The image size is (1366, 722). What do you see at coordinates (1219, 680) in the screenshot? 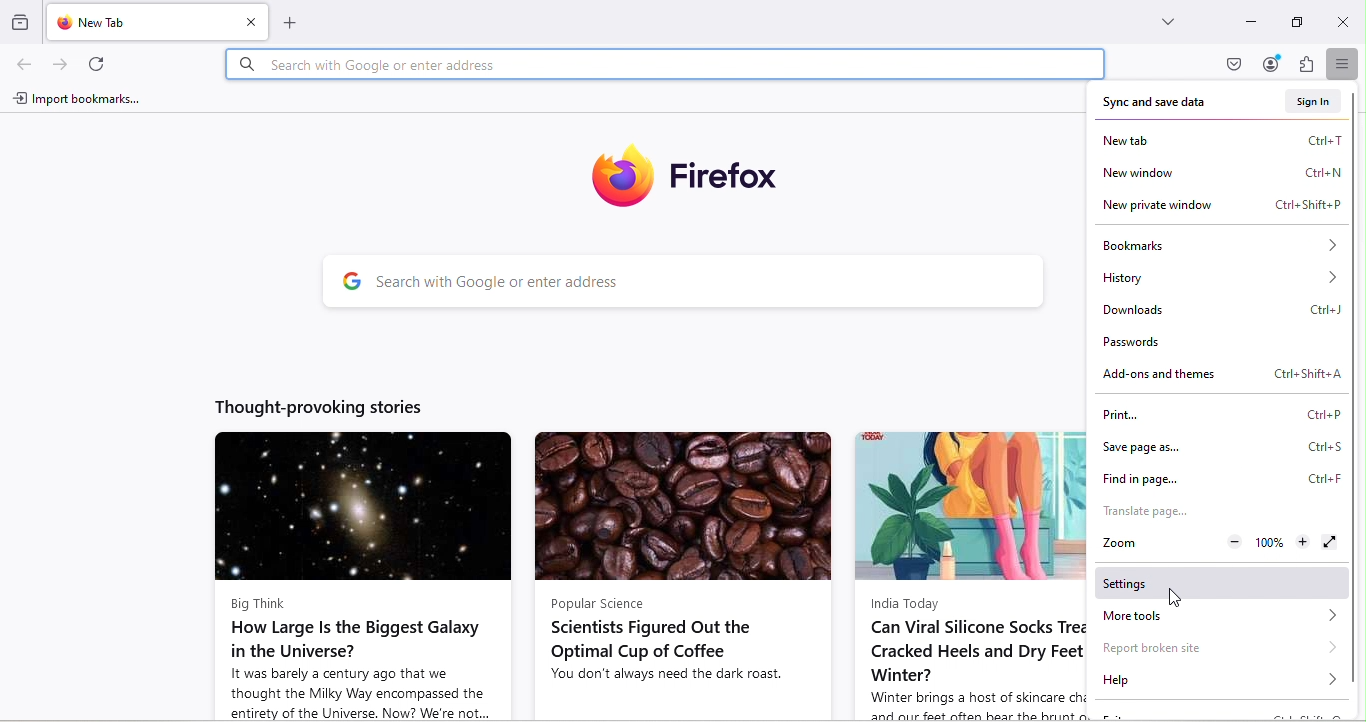
I see `Help` at bounding box center [1219, 680].